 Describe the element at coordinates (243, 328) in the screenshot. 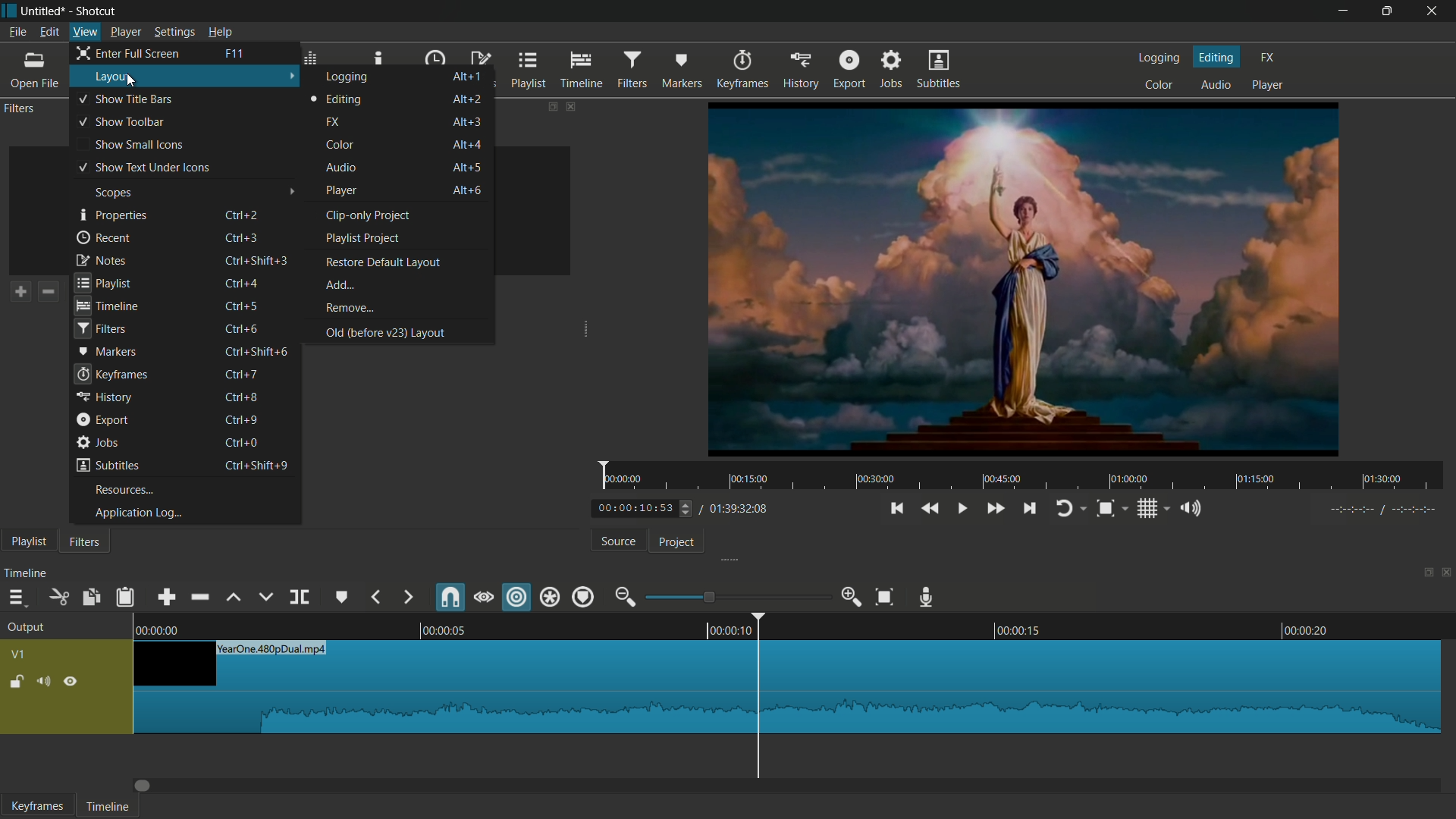

I see `keyboard shortcut` at that location.